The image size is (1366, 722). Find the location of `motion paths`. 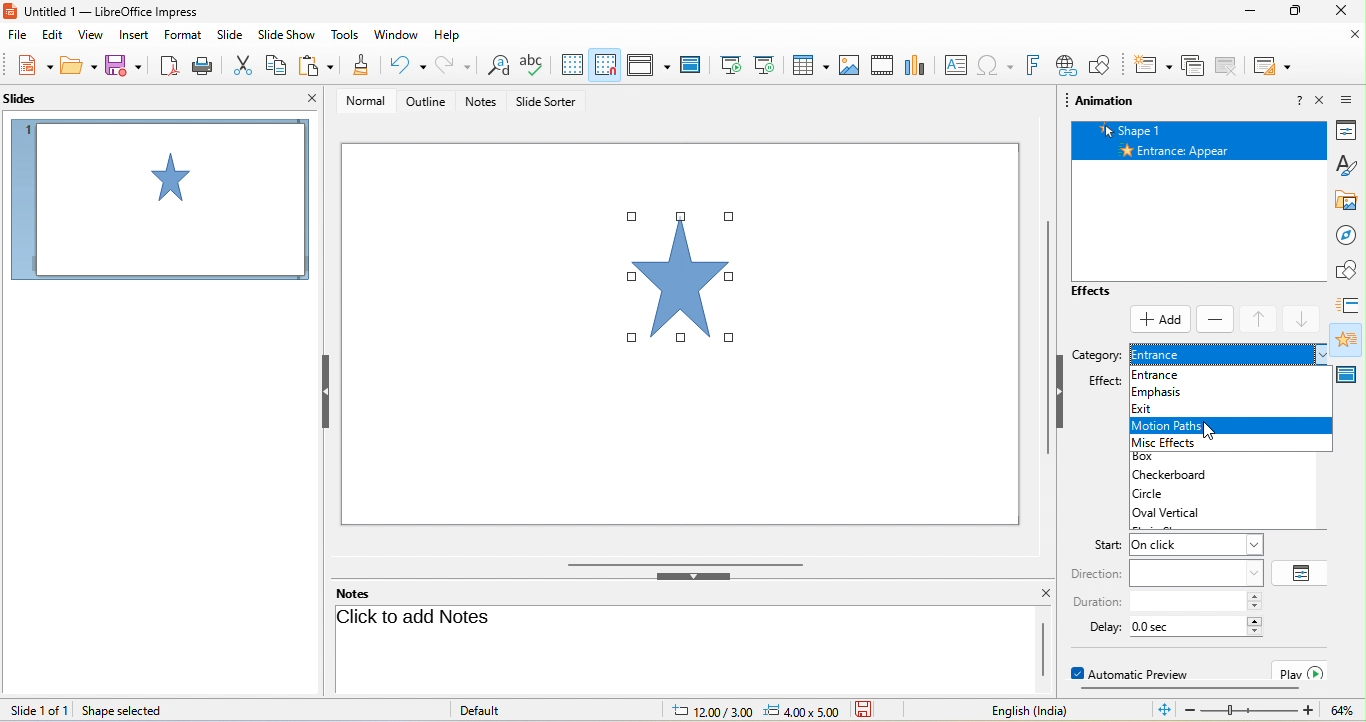

motion paths is located at coordinates (1231, 425).